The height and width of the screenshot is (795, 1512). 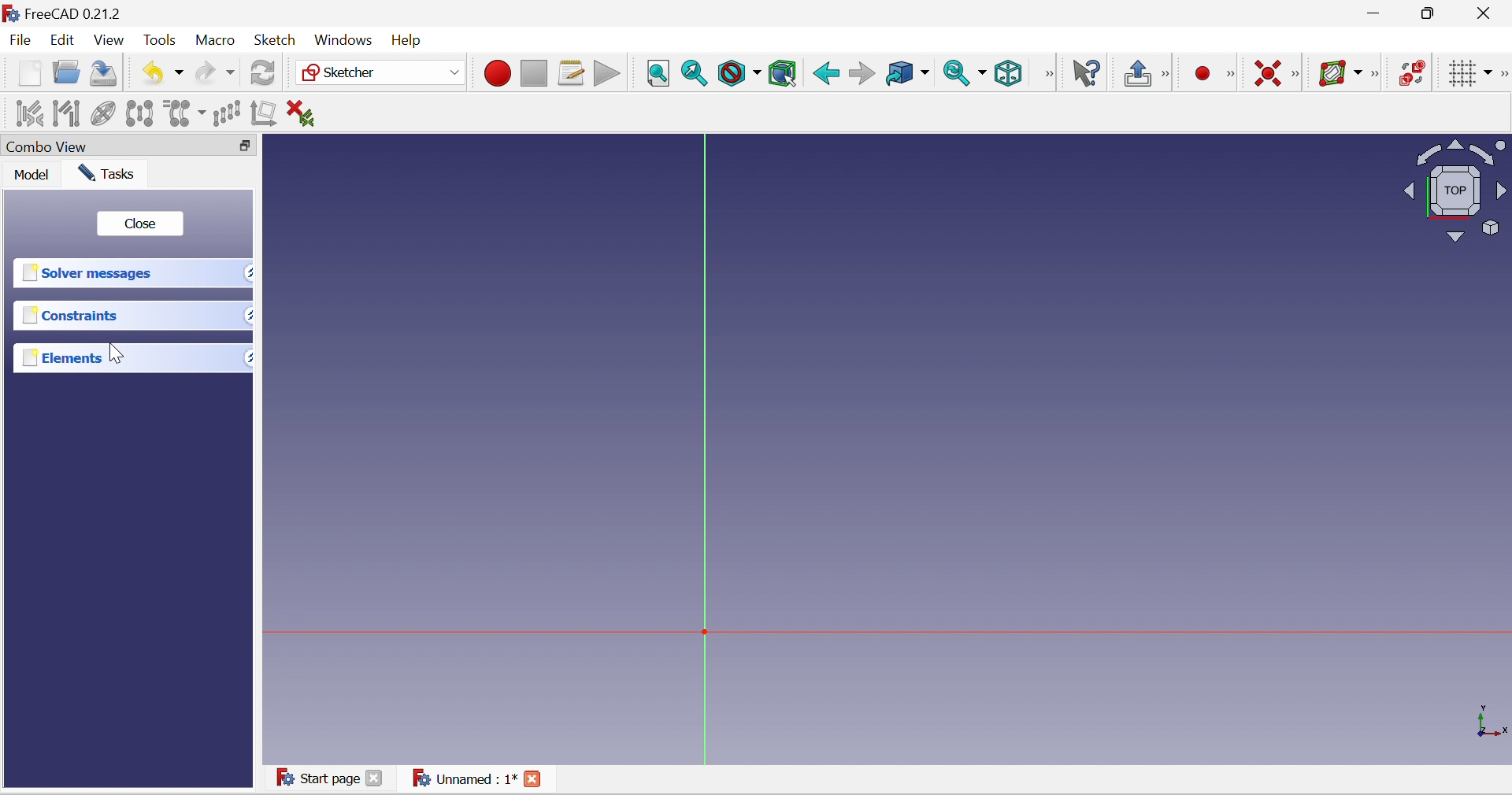 I want to click on Windows, so click(x=341, y=44).